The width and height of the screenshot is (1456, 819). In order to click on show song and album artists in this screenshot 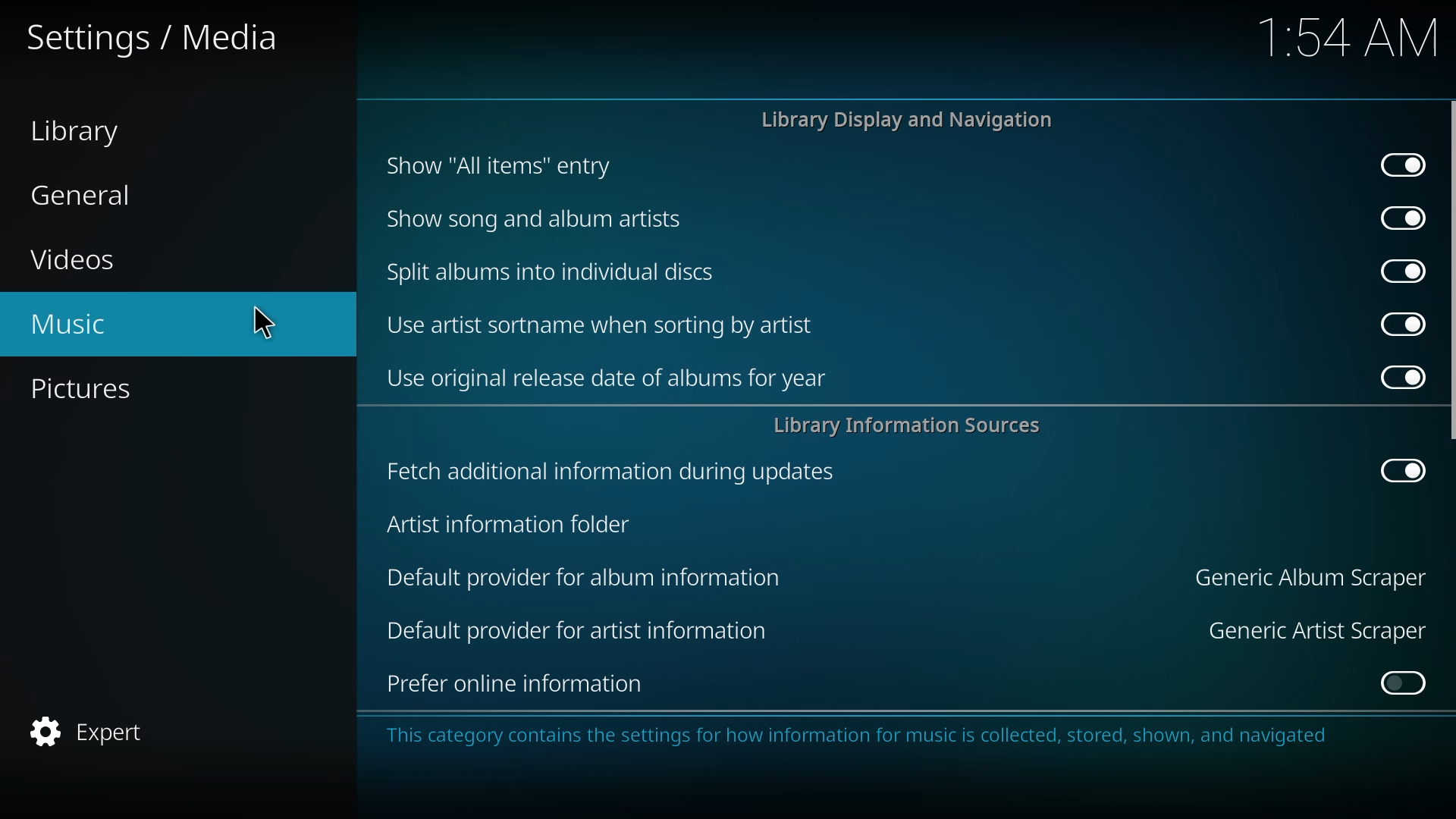, I will do `click(542, 219)`.